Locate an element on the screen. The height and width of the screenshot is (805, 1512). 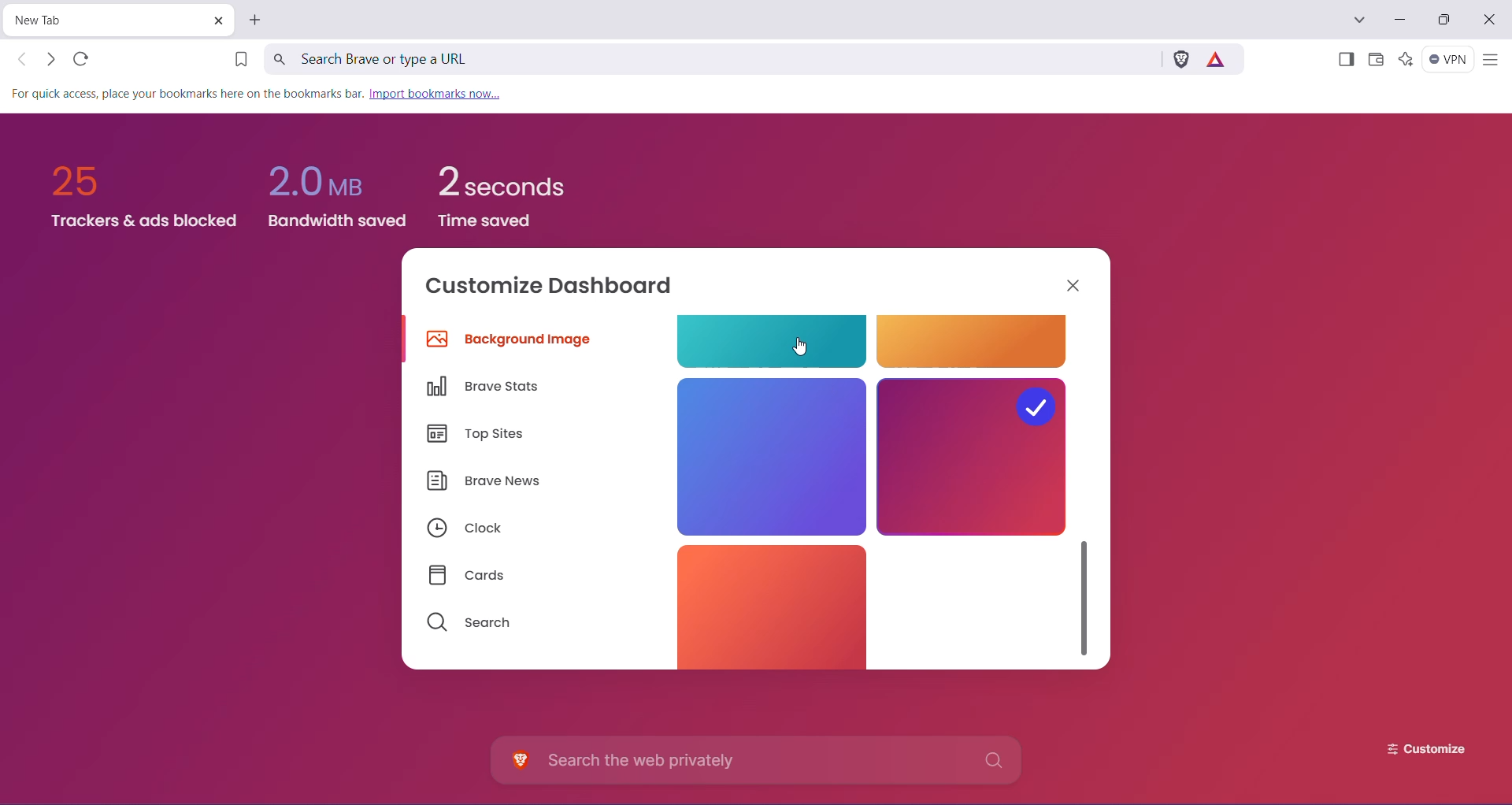
Leo AI is located at coordinates (1405, 59).